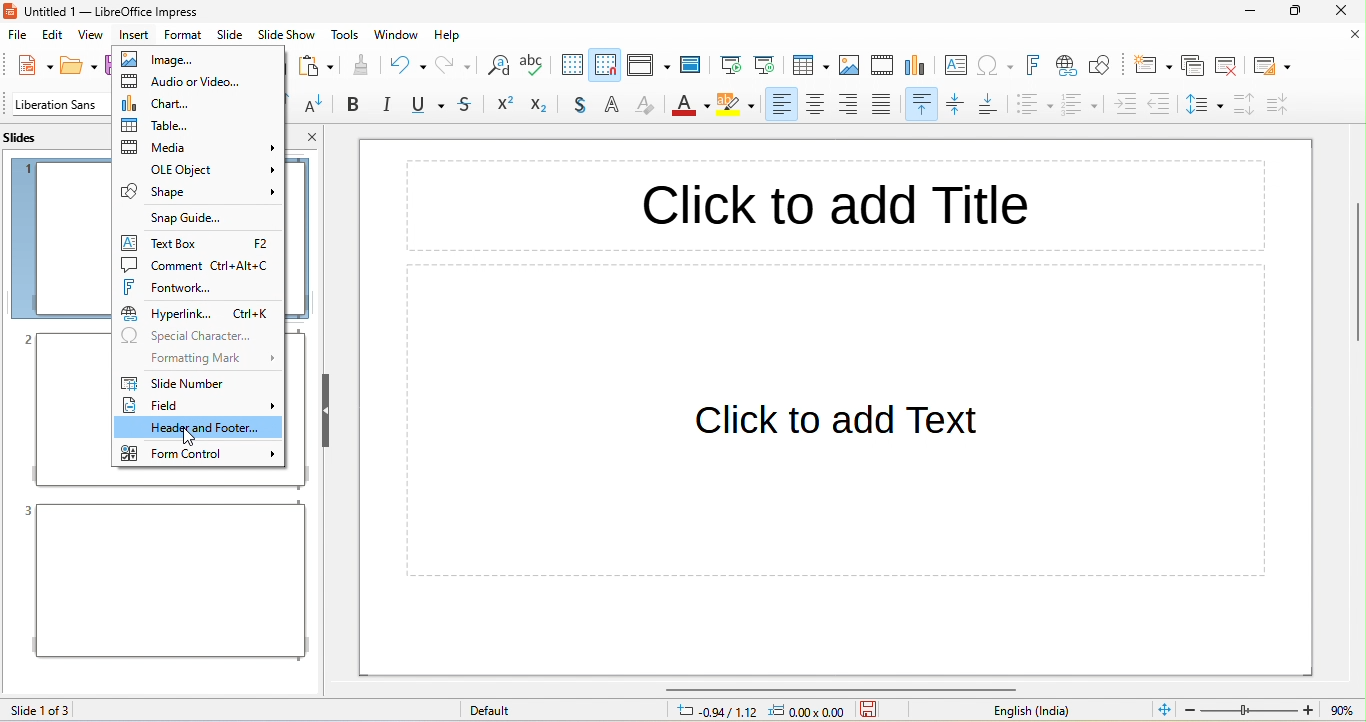 The height and width of the screenshot is (722, 1366). I want to click on decrease paragraph spacing, so click(1280, 104).